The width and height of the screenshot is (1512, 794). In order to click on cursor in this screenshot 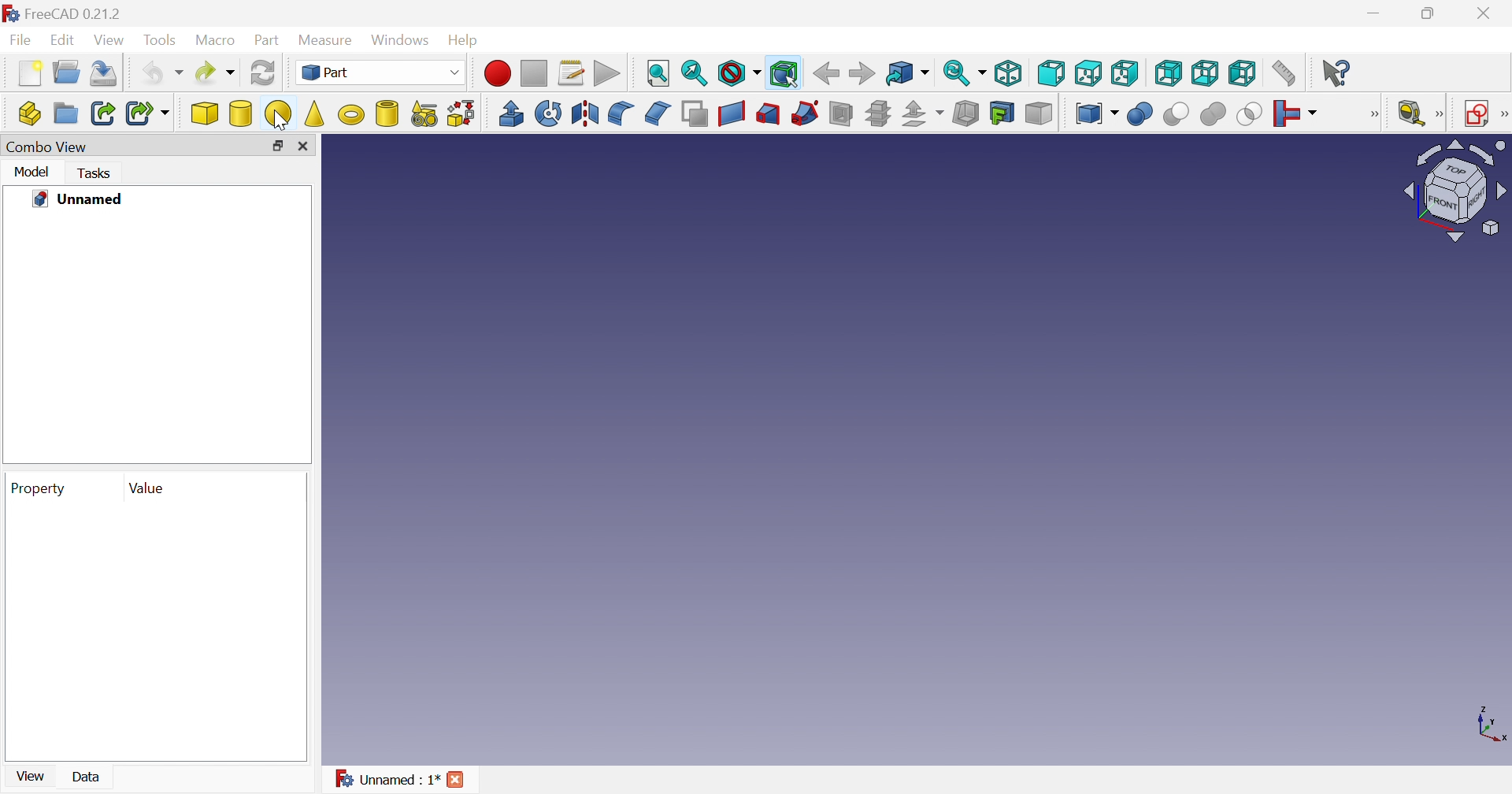, I will do `click(279, 120)`.